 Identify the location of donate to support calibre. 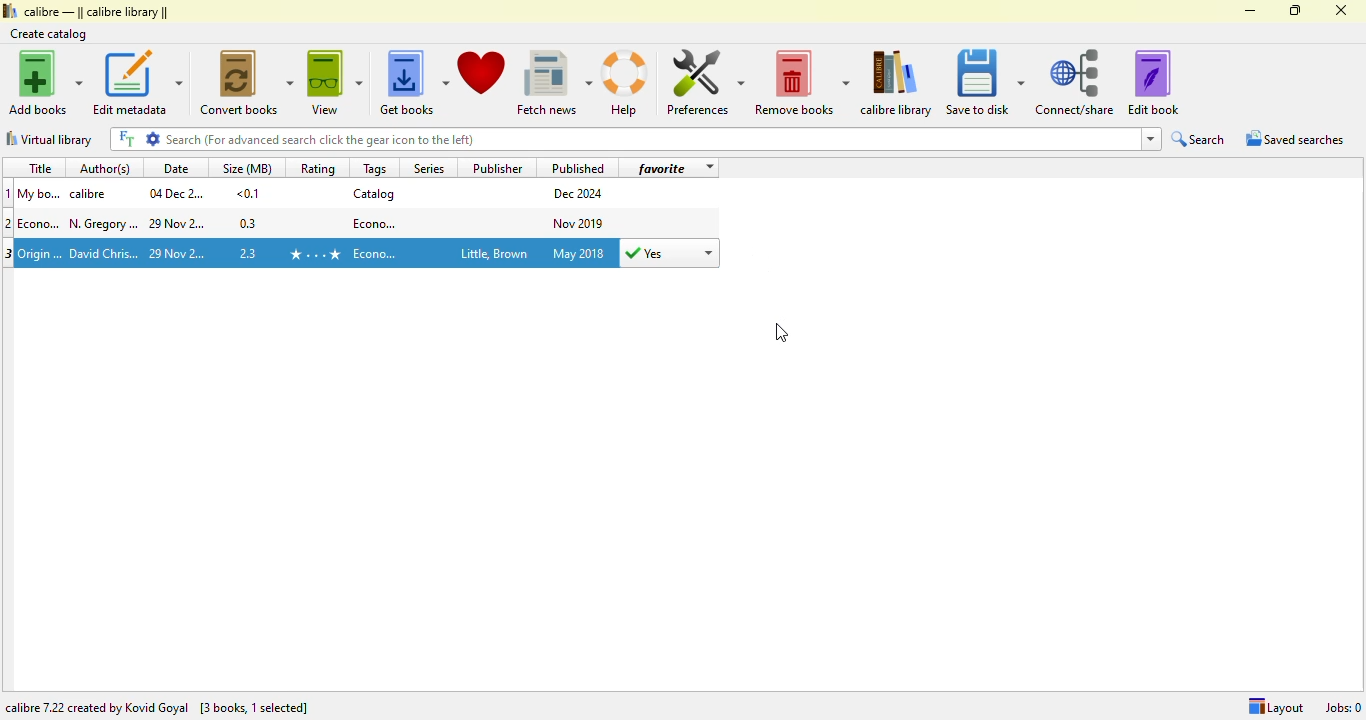
(482, 73).